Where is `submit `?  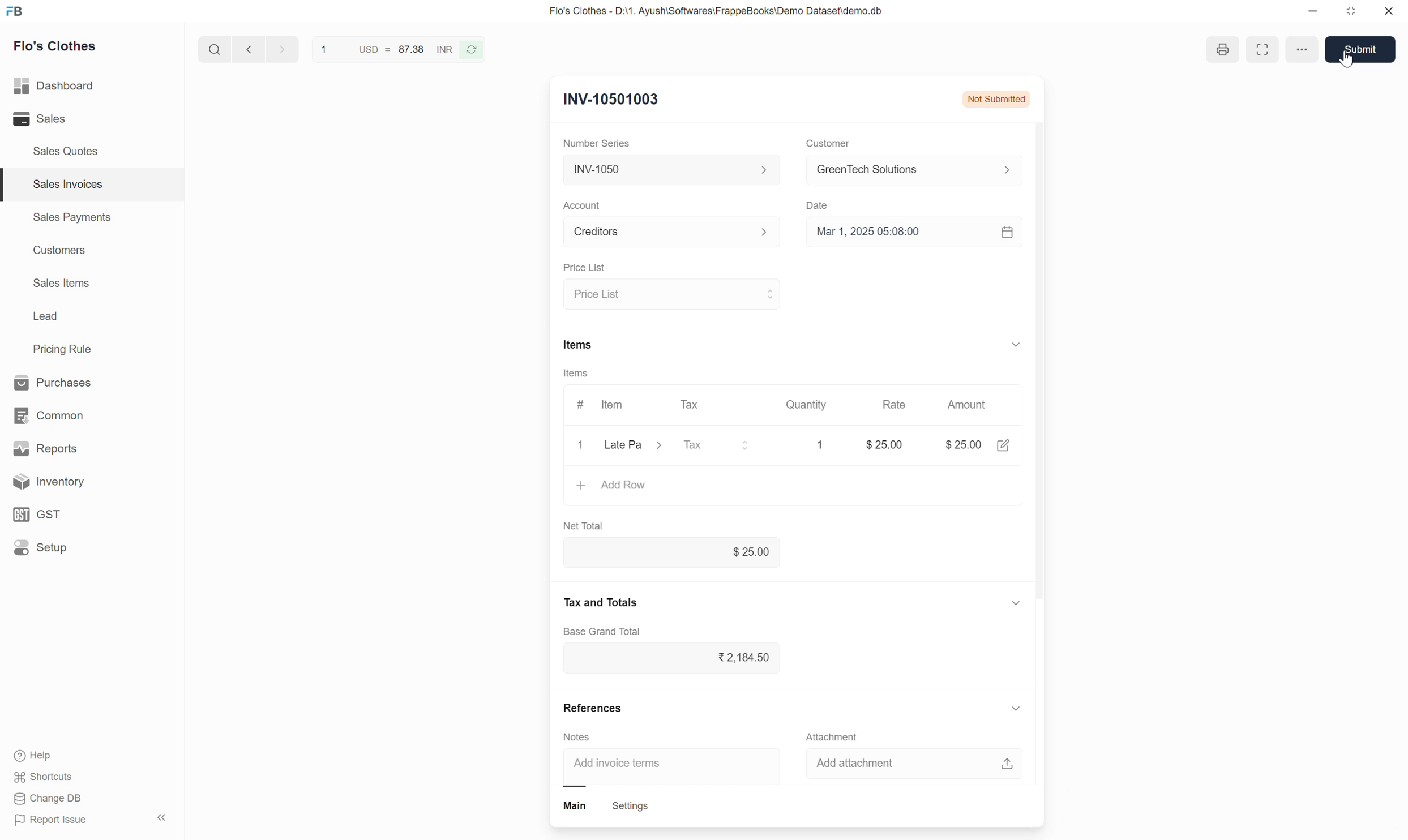 submit  is located at coordinates (1359, 49).